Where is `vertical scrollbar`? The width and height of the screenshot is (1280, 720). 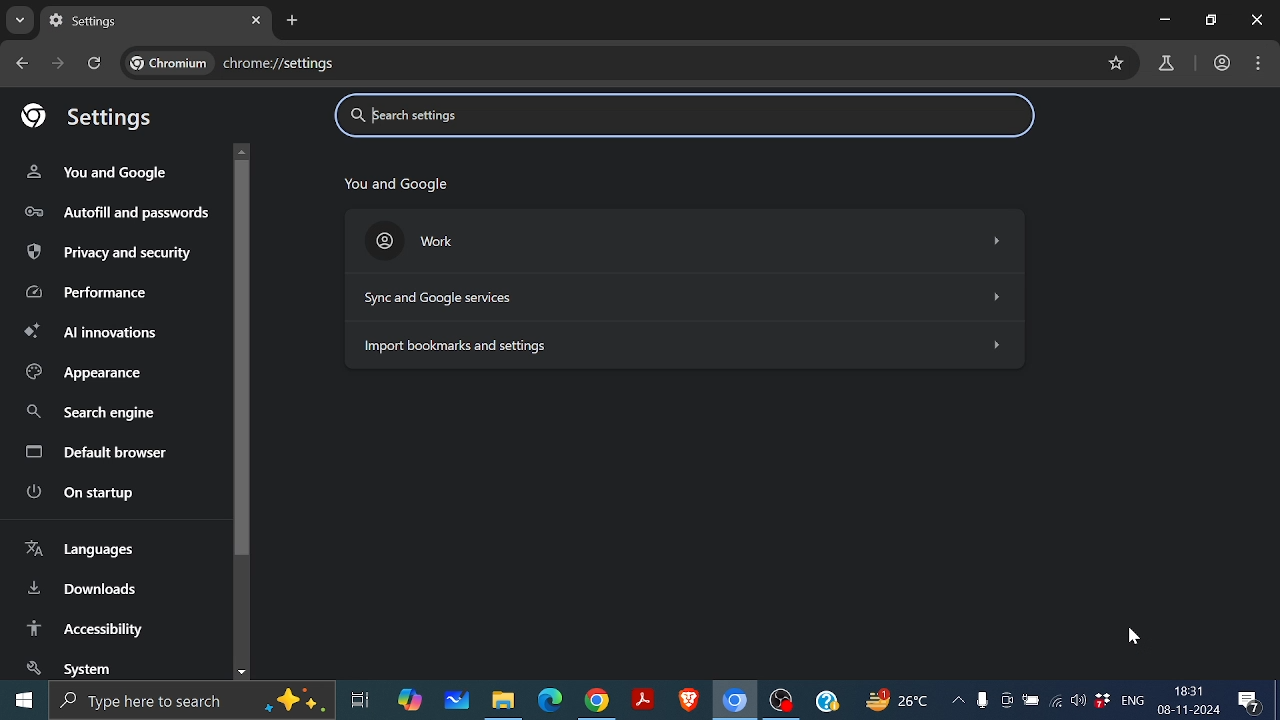
vertical scrollbar is located at coordinates (243, 357).